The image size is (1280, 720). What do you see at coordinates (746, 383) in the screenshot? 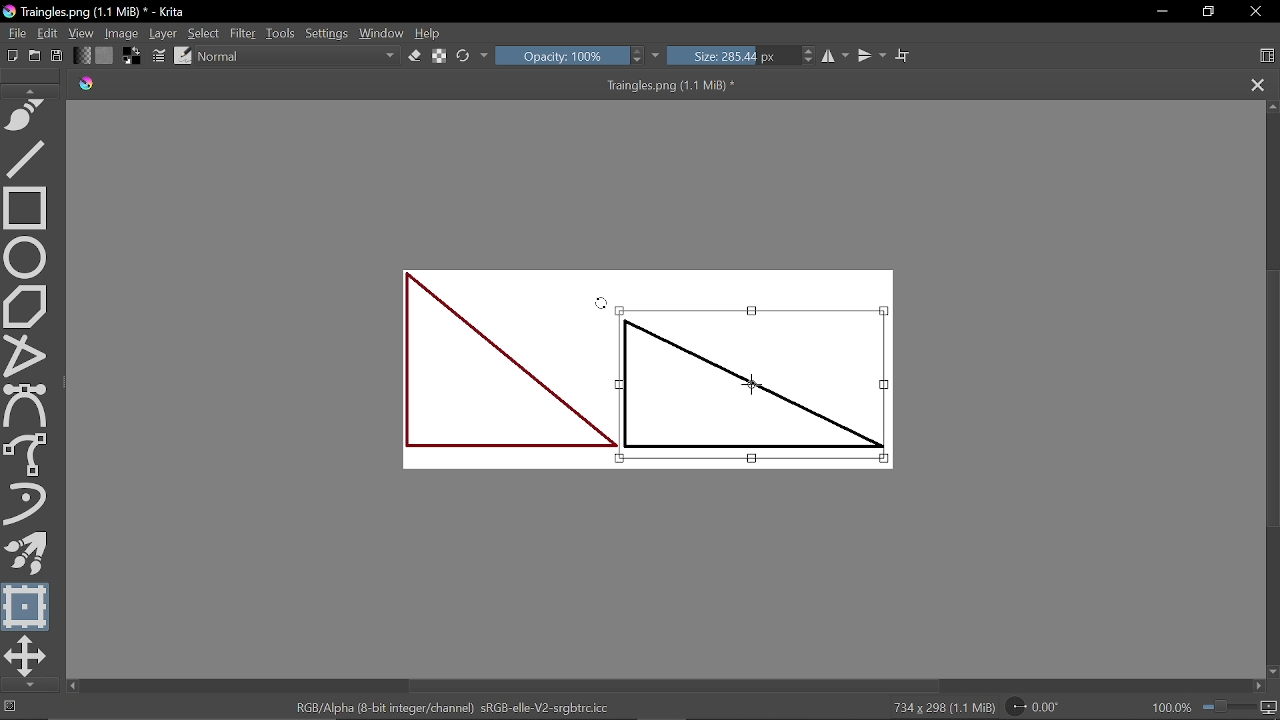
I see `Selected part of the image` at bounding box center [746, 383].